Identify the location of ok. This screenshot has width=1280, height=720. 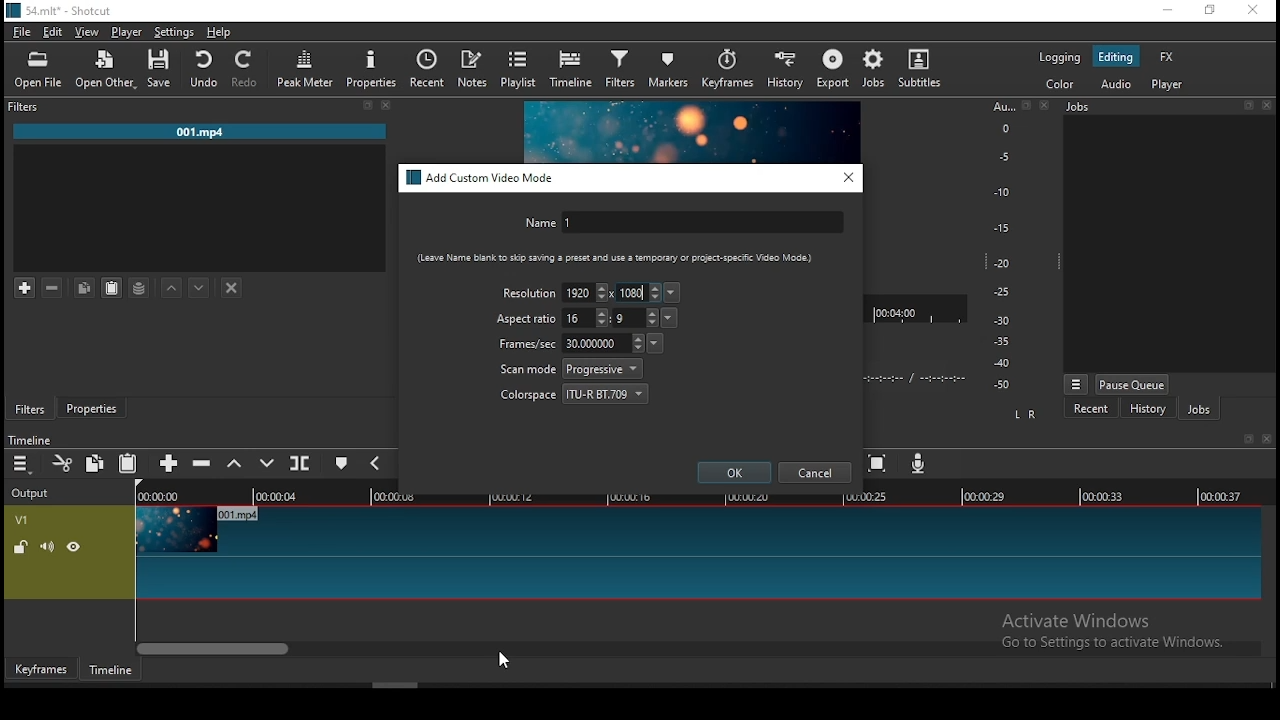
(735, 472).